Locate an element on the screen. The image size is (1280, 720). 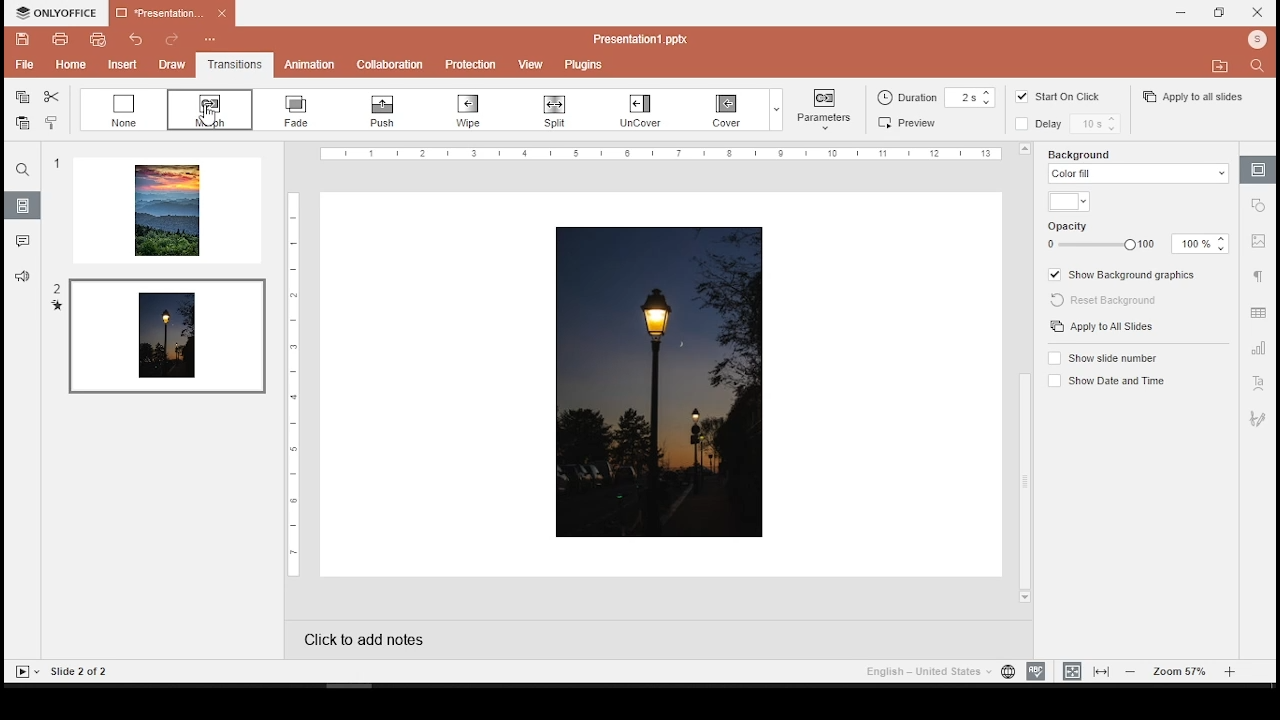
support and feedback is located at coordinates (22, 275).